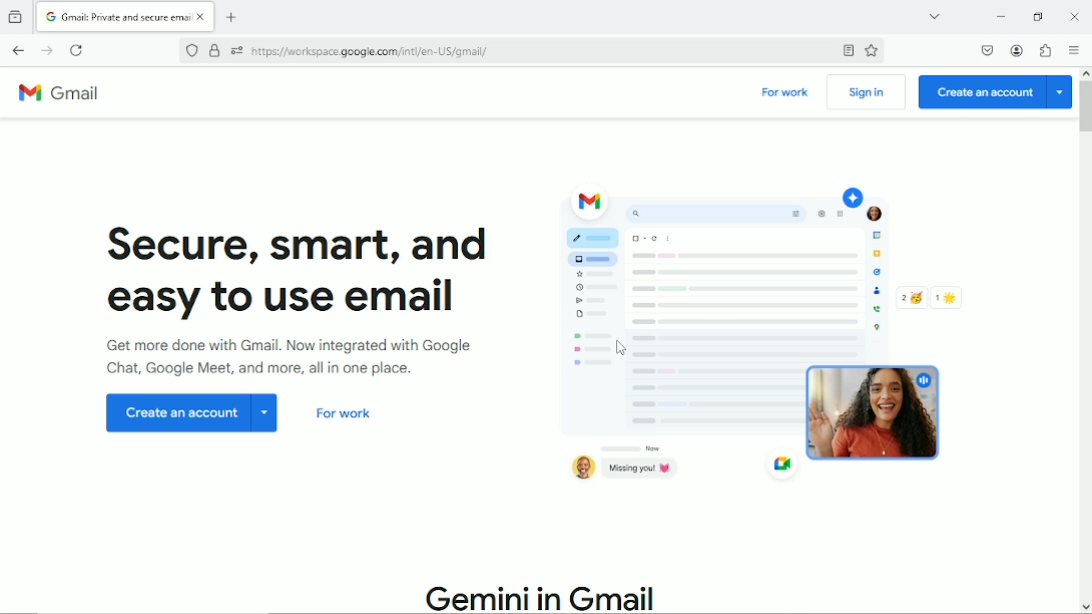  I want to click on New tab, so click(235, 17).